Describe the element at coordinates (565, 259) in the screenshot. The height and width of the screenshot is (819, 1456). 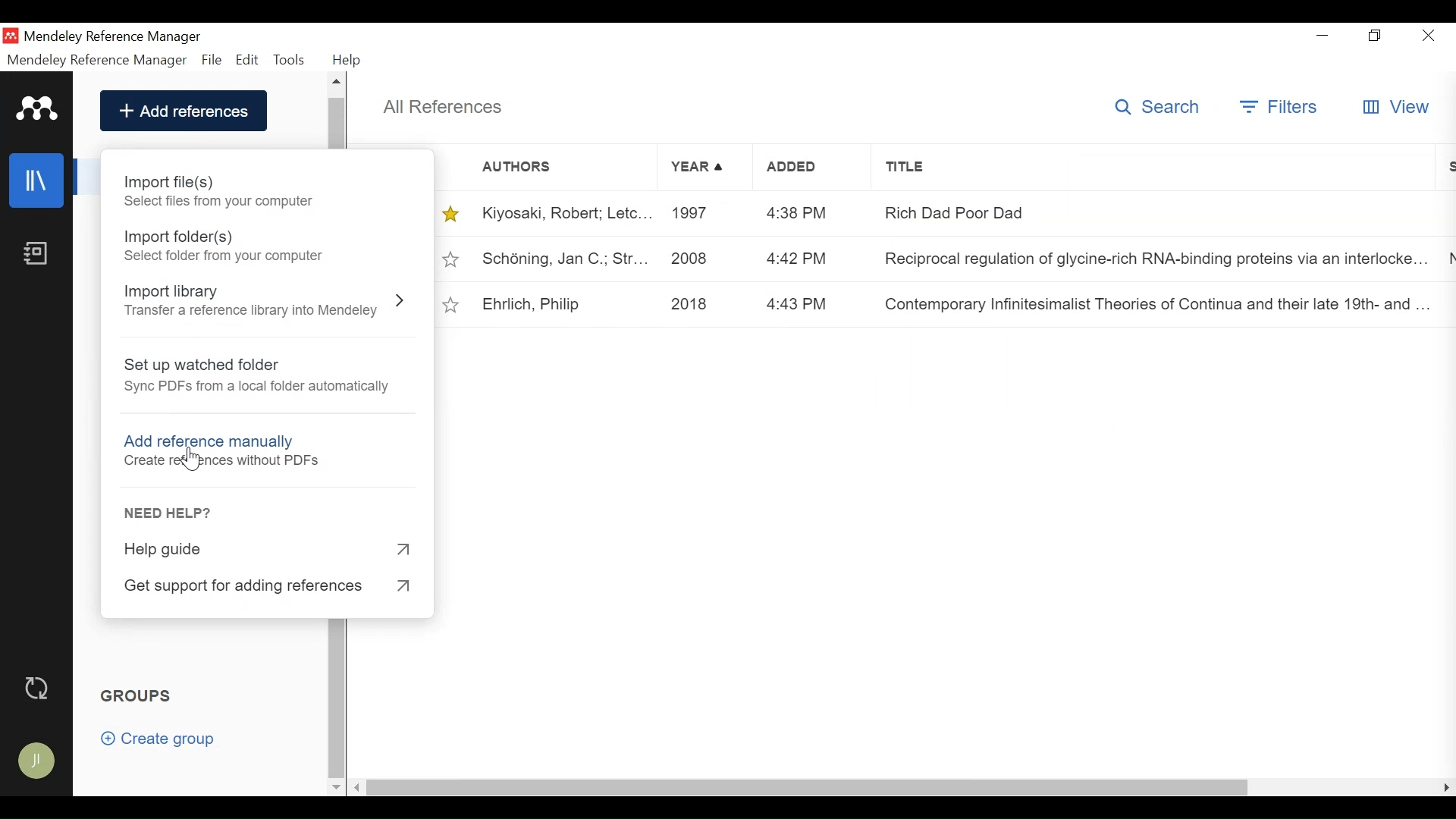
I see `Schöning, Jan C.; Str...` at that location.